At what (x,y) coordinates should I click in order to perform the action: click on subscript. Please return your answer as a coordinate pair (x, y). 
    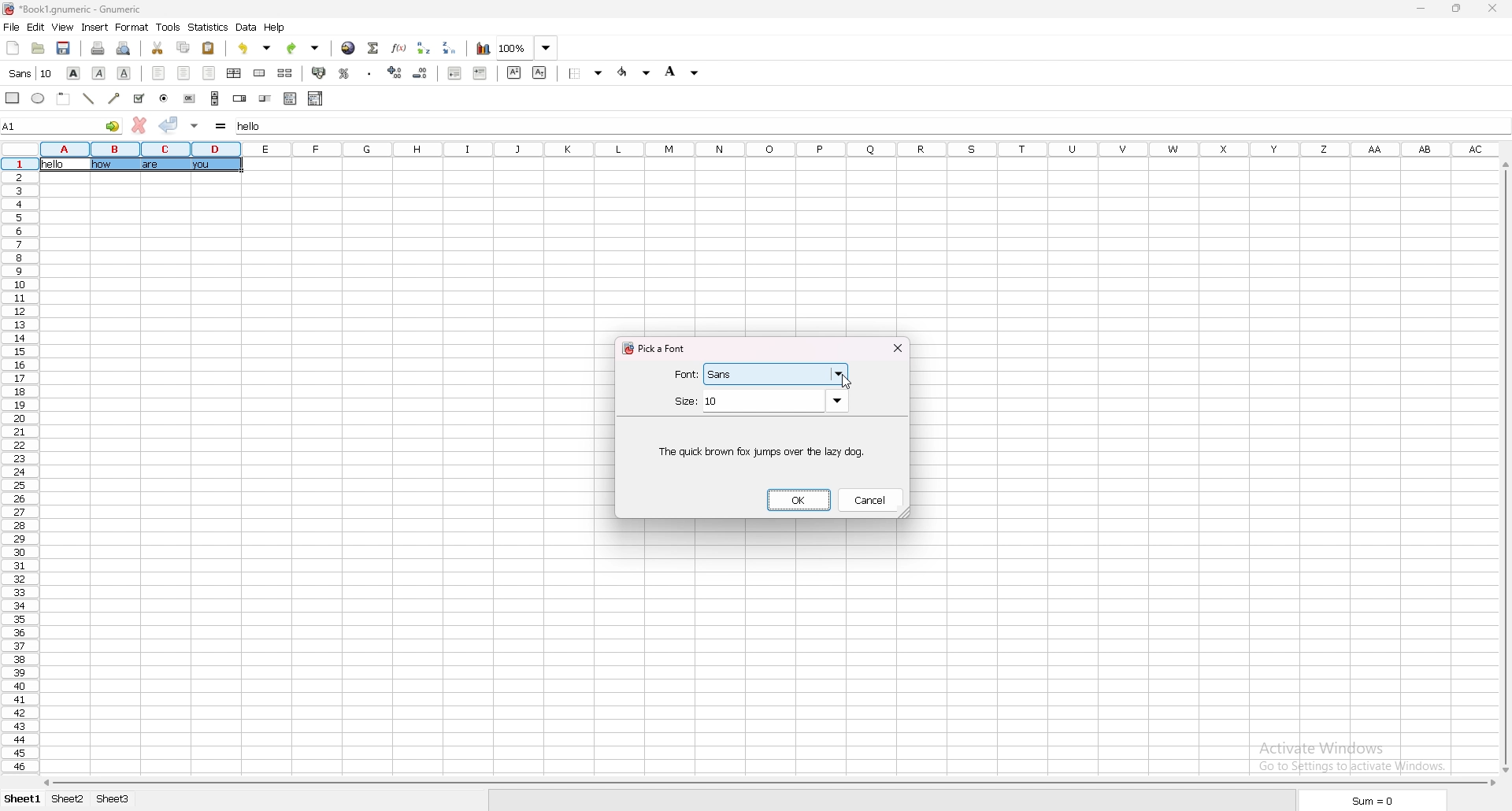
    Looking at the image, I should click on (539, 72).